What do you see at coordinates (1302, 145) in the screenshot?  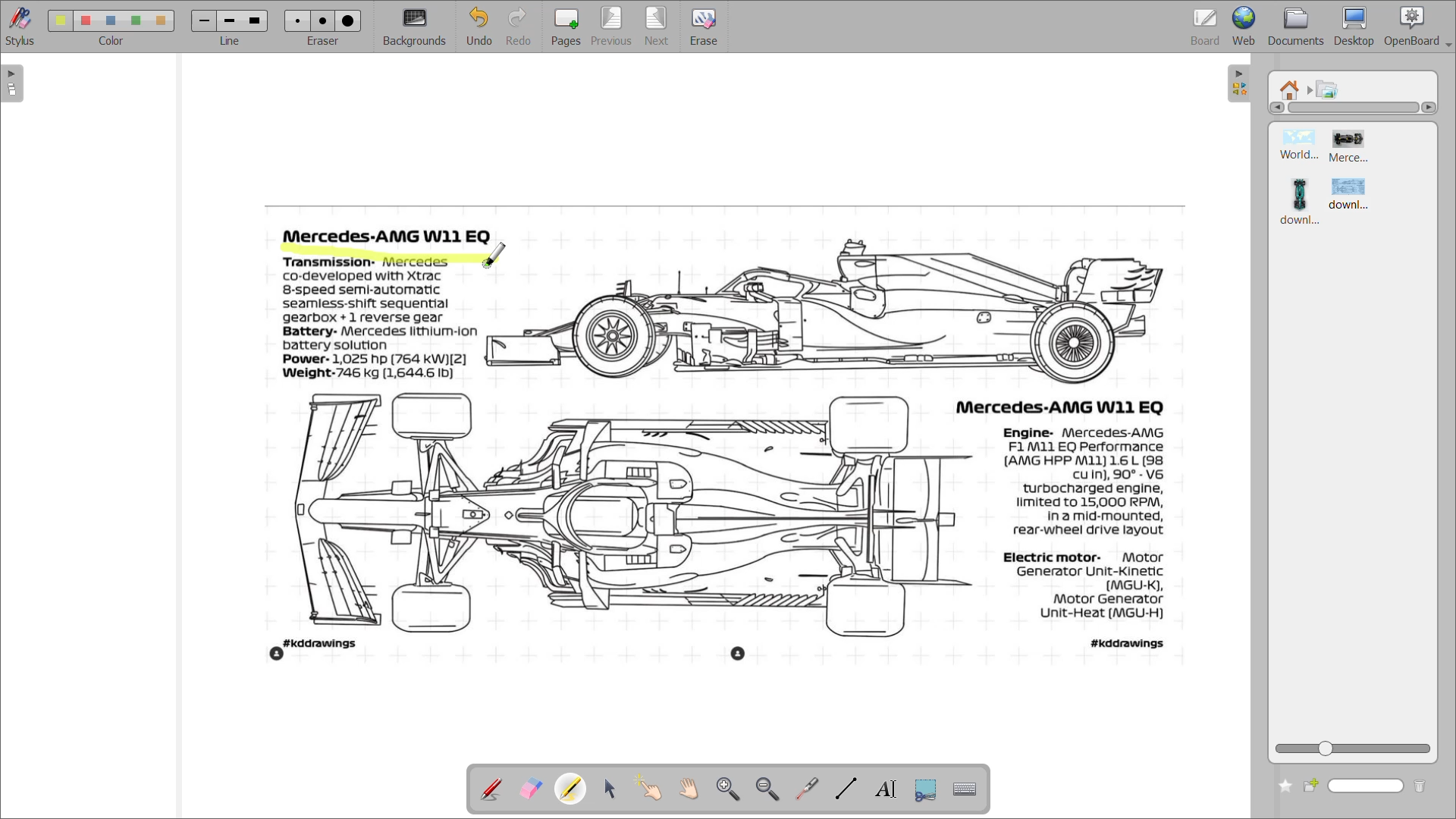 I see `image 1` at bounding box center [1302, 145].